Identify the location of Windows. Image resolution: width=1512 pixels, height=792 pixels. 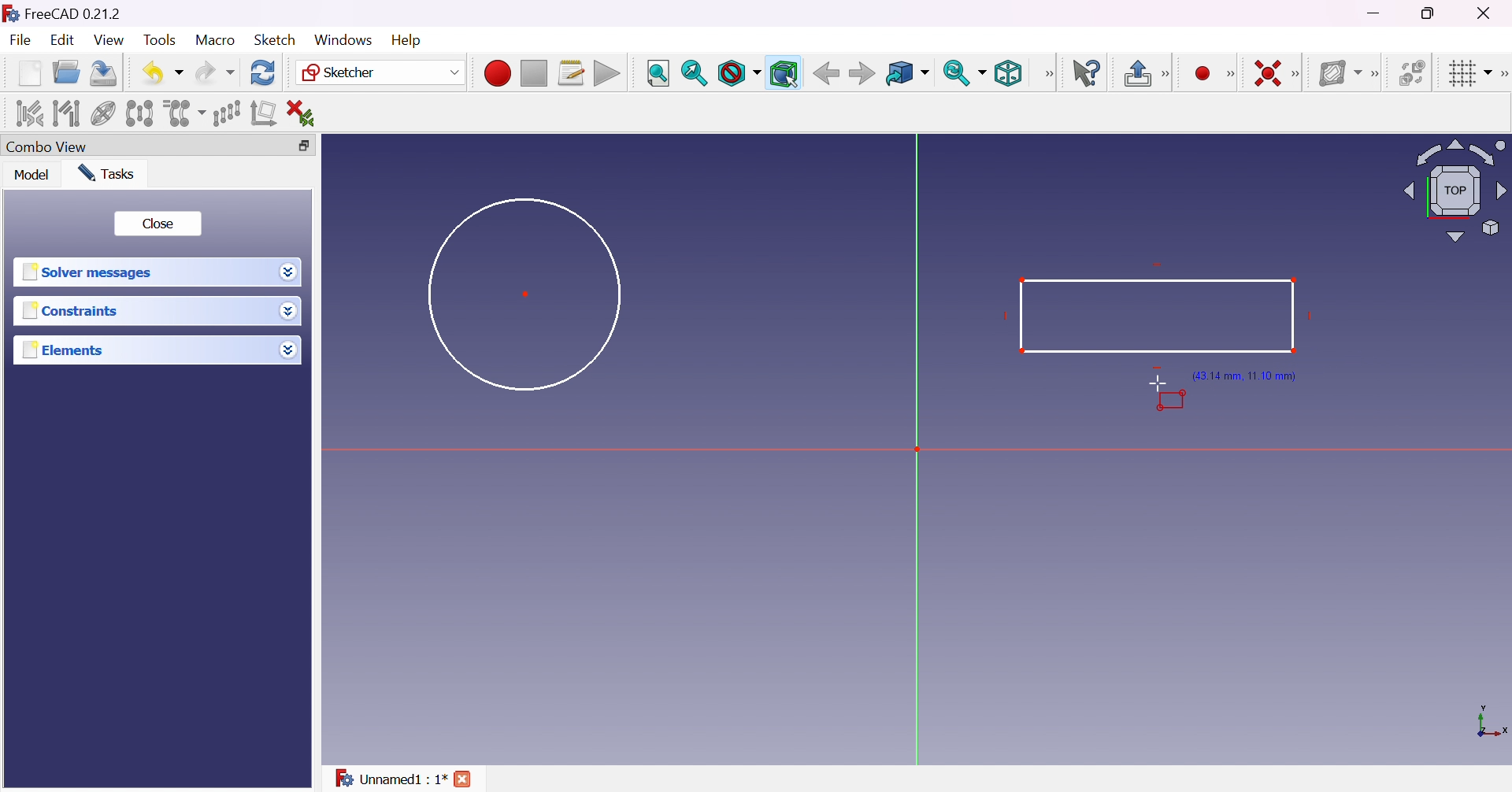
(342, 39).